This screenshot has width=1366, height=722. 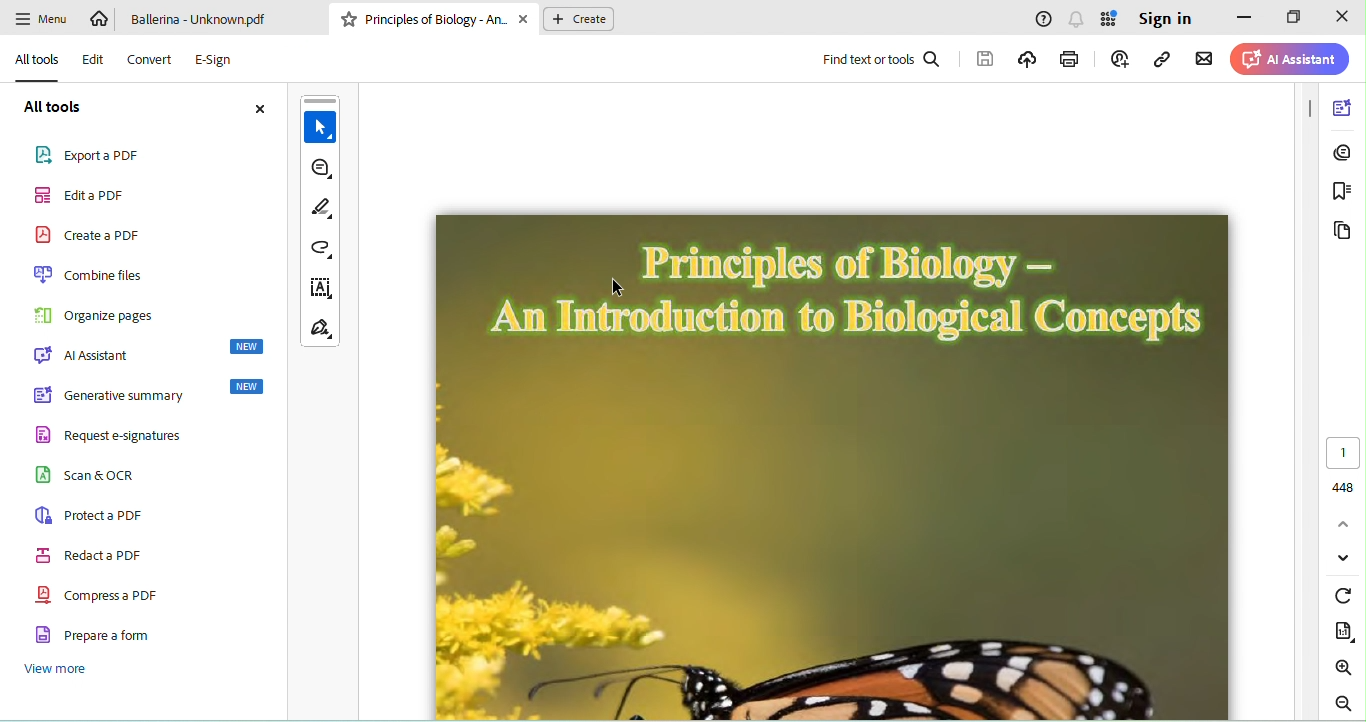 I want to click on go to a specific bookmark, so click(x=1344, y=192).